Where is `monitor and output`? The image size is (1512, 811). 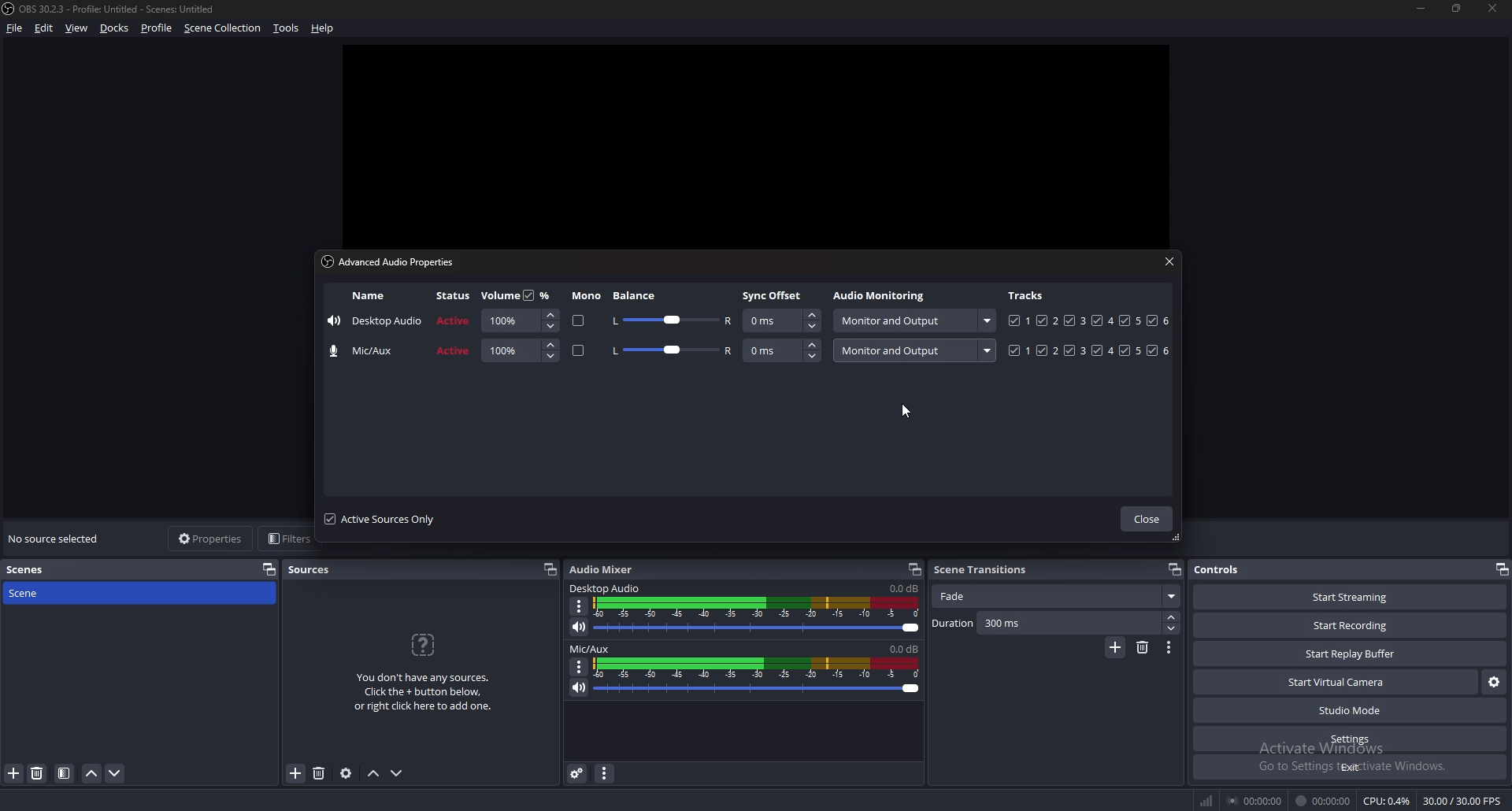 monitor and output is located at coordinates (917, 350).